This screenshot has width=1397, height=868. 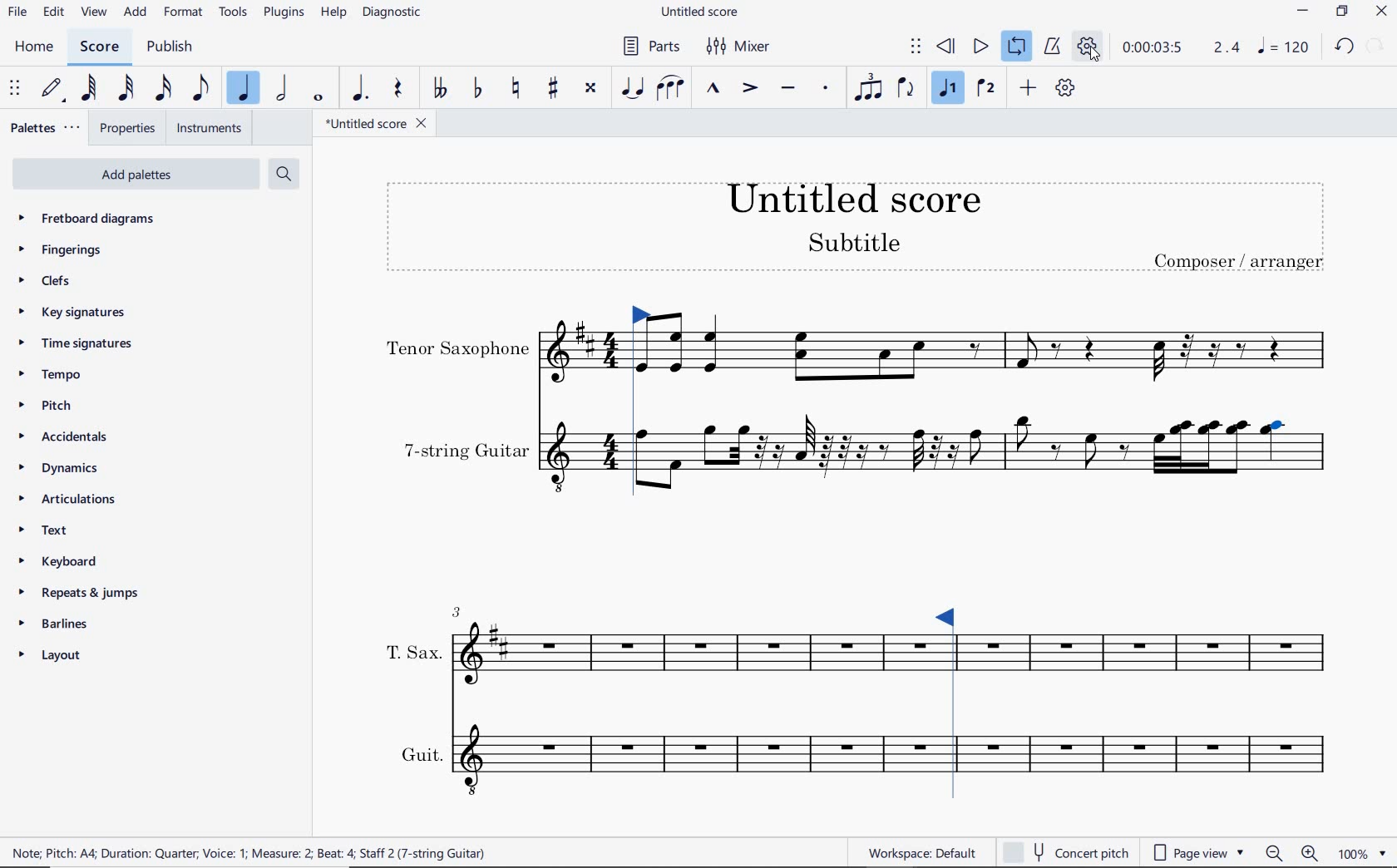 What do you see at coordinates (56, 560) in the screenshot?
I see `KEYBOARD` at bounding box center [56, 560].